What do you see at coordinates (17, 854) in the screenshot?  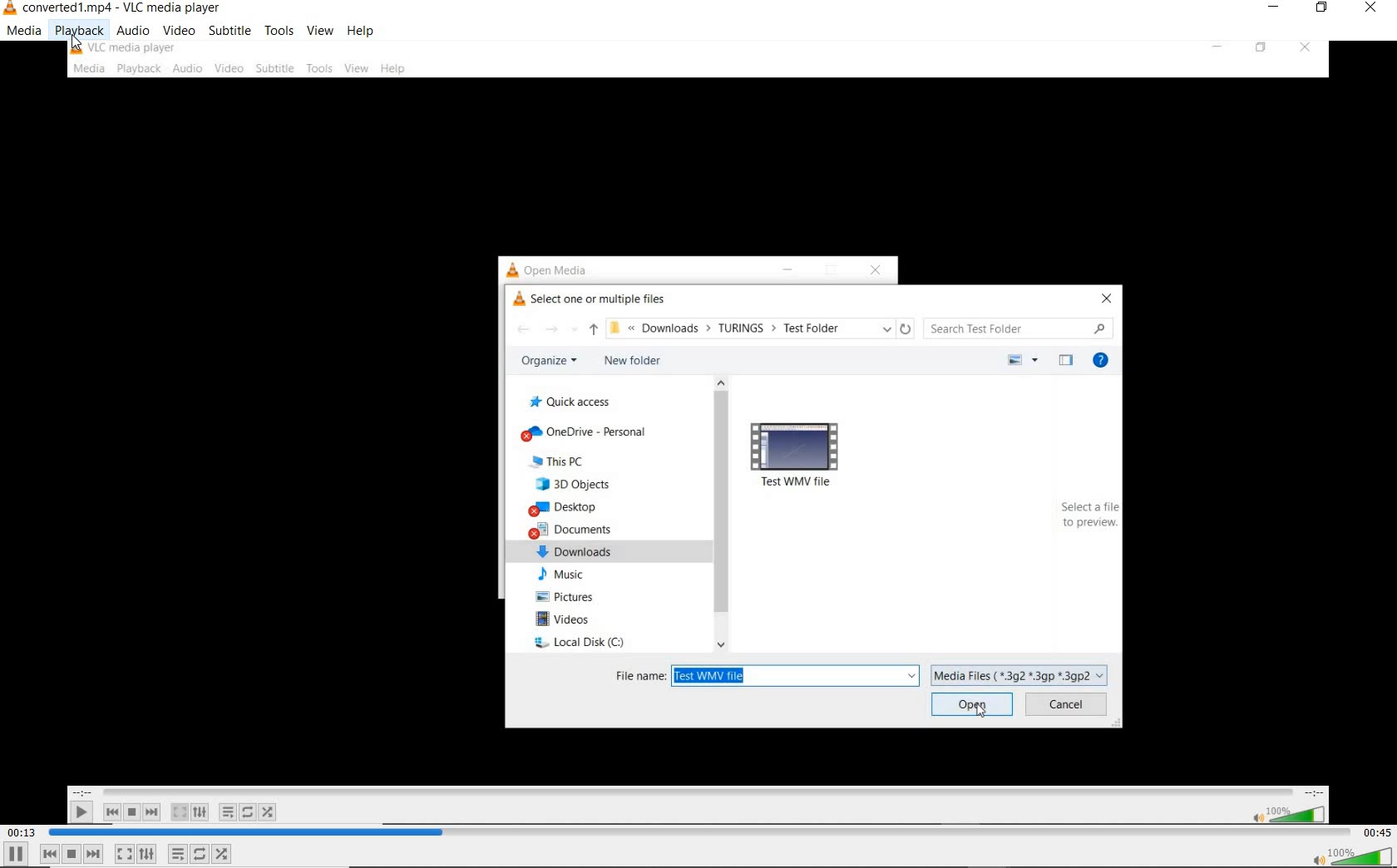 I see `pause` at bounding box center [17, 854].